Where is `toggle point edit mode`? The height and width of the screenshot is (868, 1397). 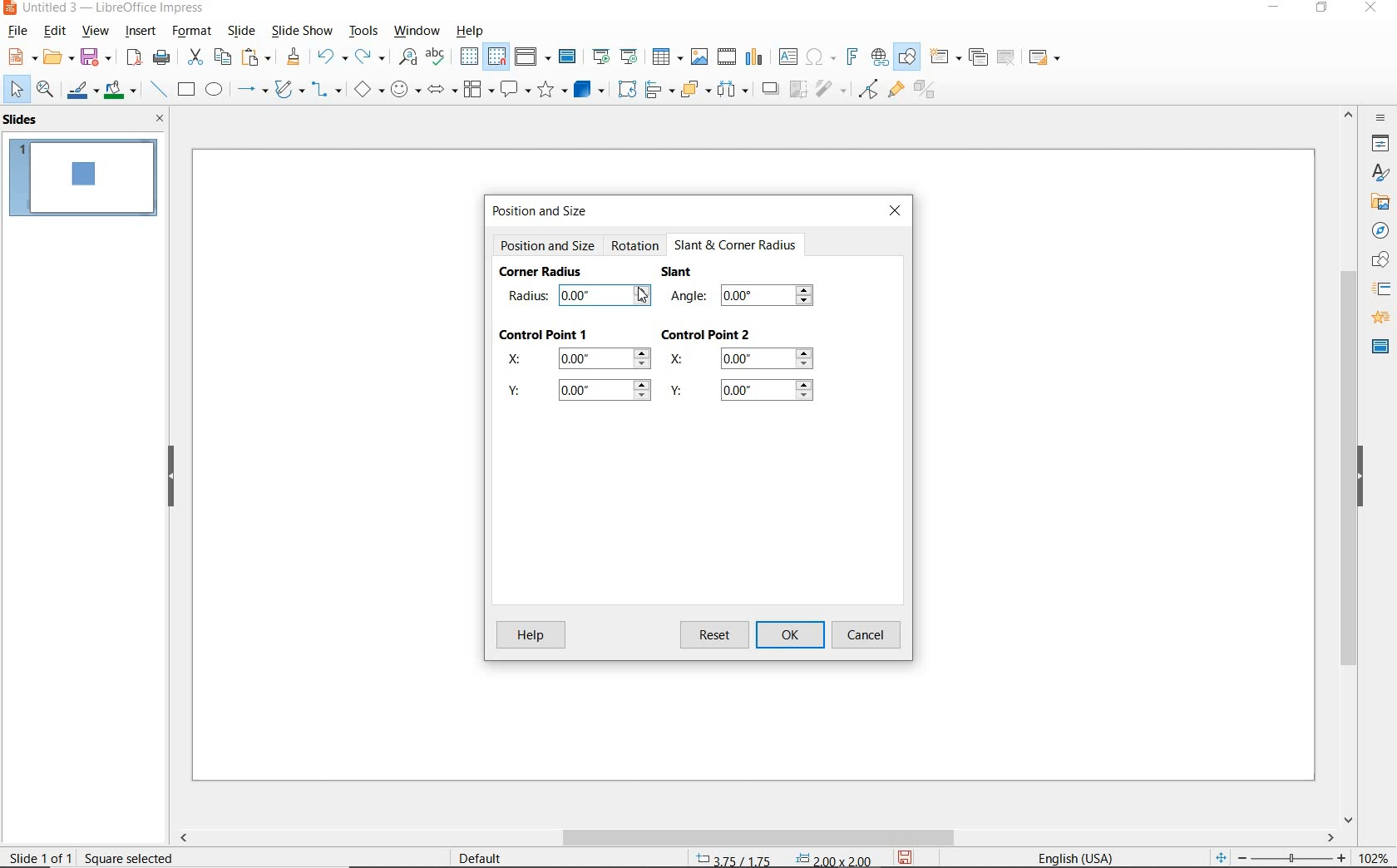 toggle point edit mode is located at coordinates (867, 91).